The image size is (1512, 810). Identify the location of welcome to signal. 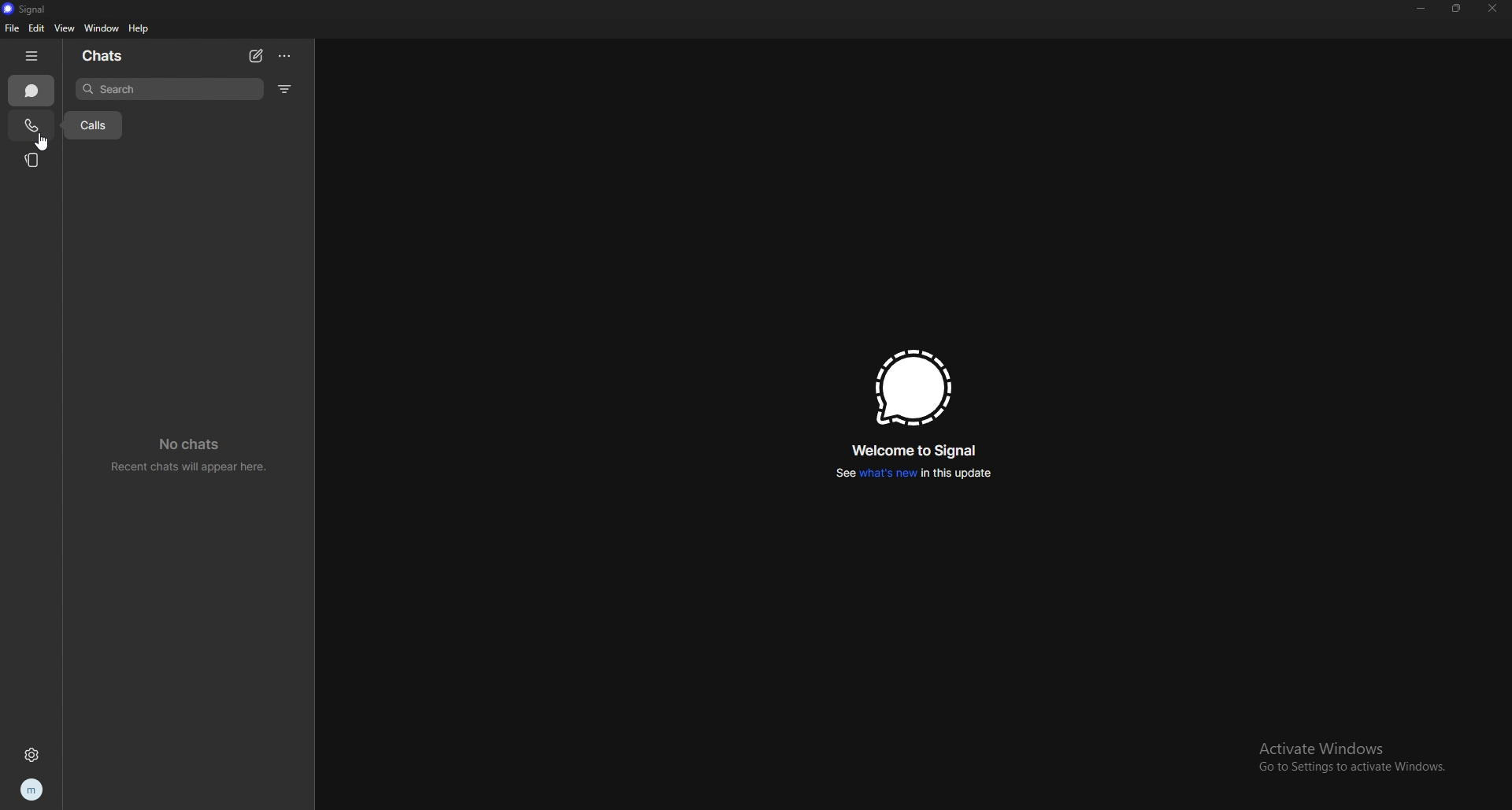
(917, 448).